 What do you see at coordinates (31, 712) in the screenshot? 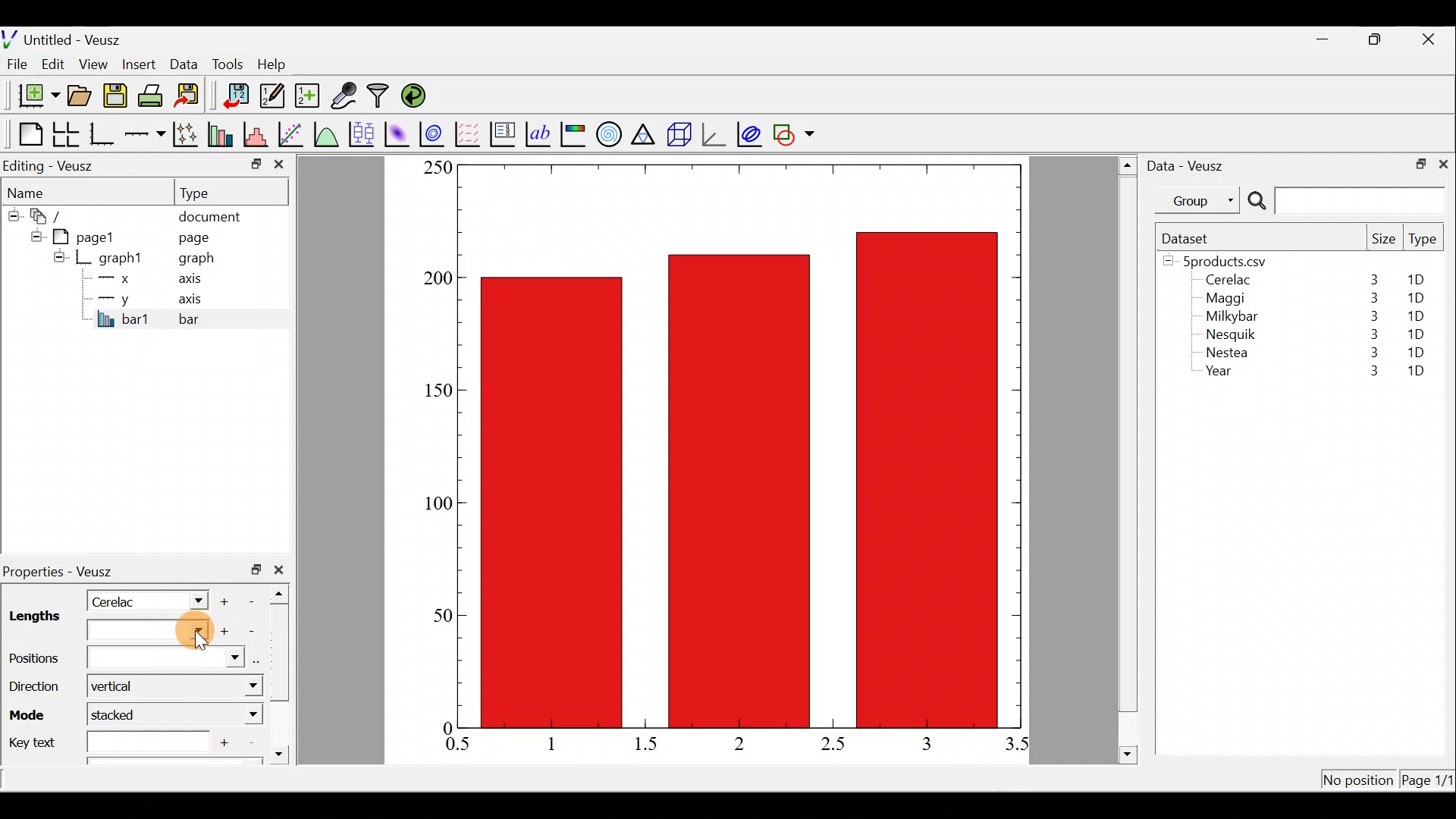
I see `Mode` at bounding box center [31, 712].